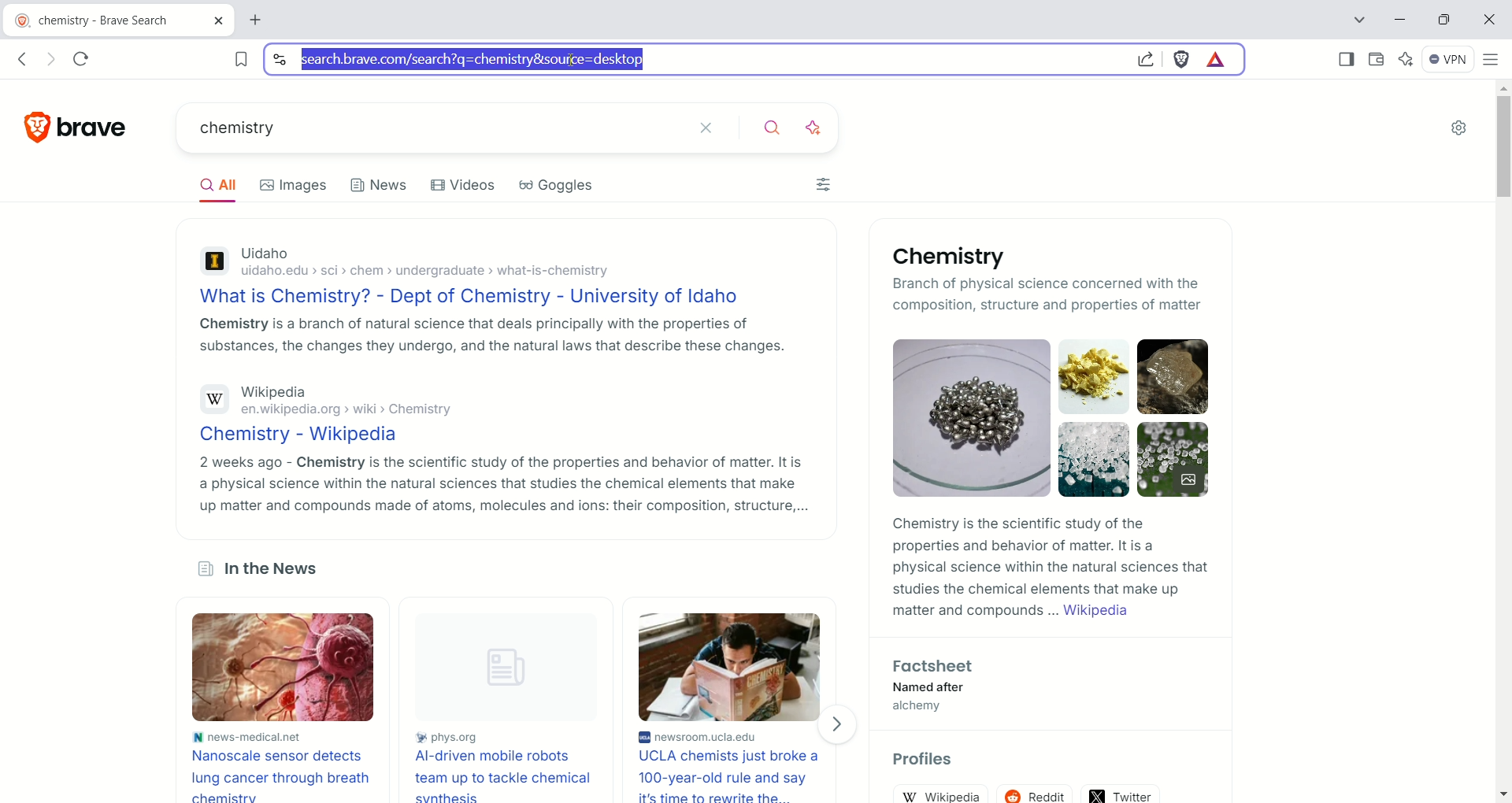 The image size is (1512, 803). What do you see at coordinates (513, 738) in the screenshot?
I see `phys.org` at bounding box center [513, 738].